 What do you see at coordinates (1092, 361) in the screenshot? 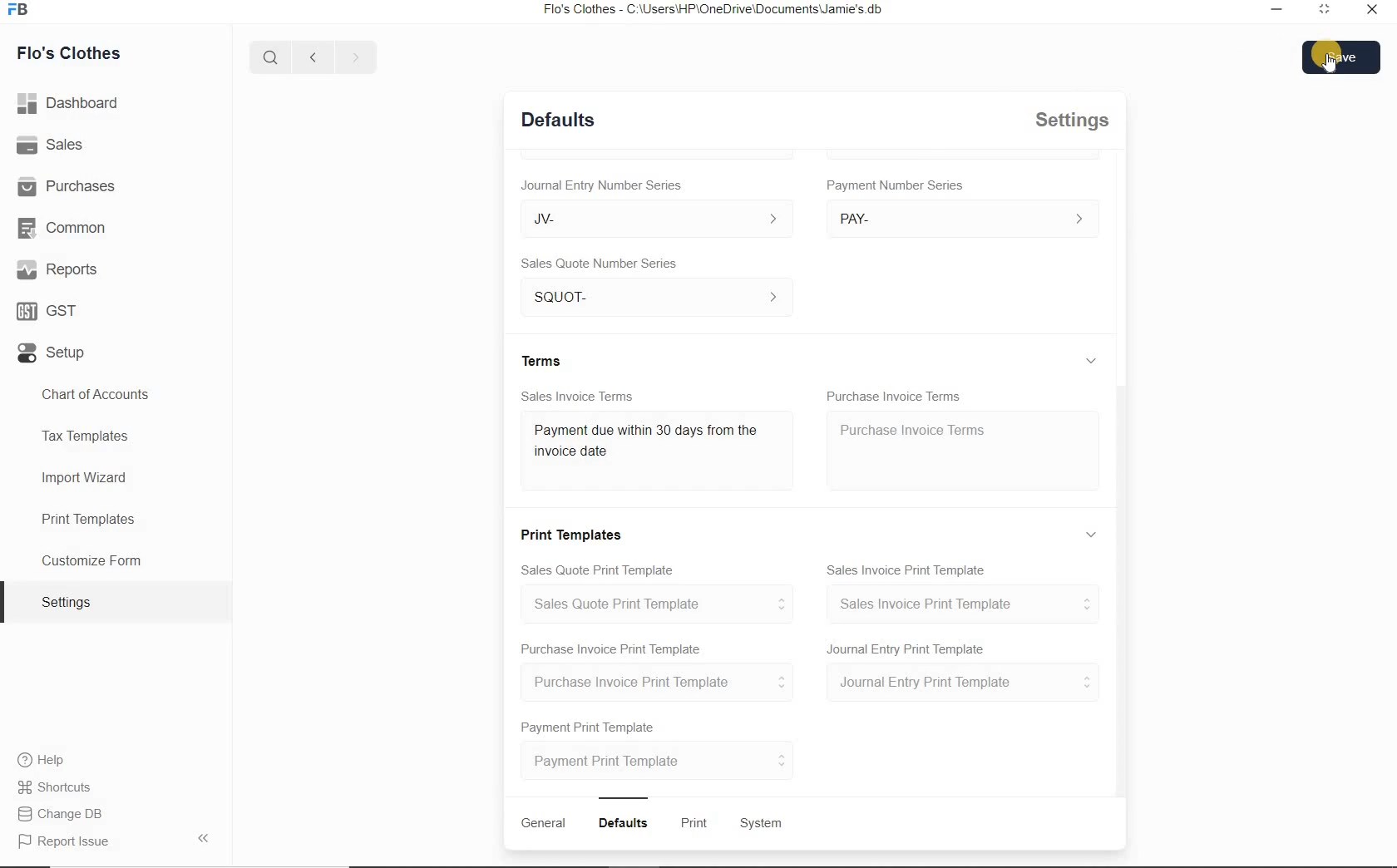
I see `Expand` at bounding box center [1092, 361].